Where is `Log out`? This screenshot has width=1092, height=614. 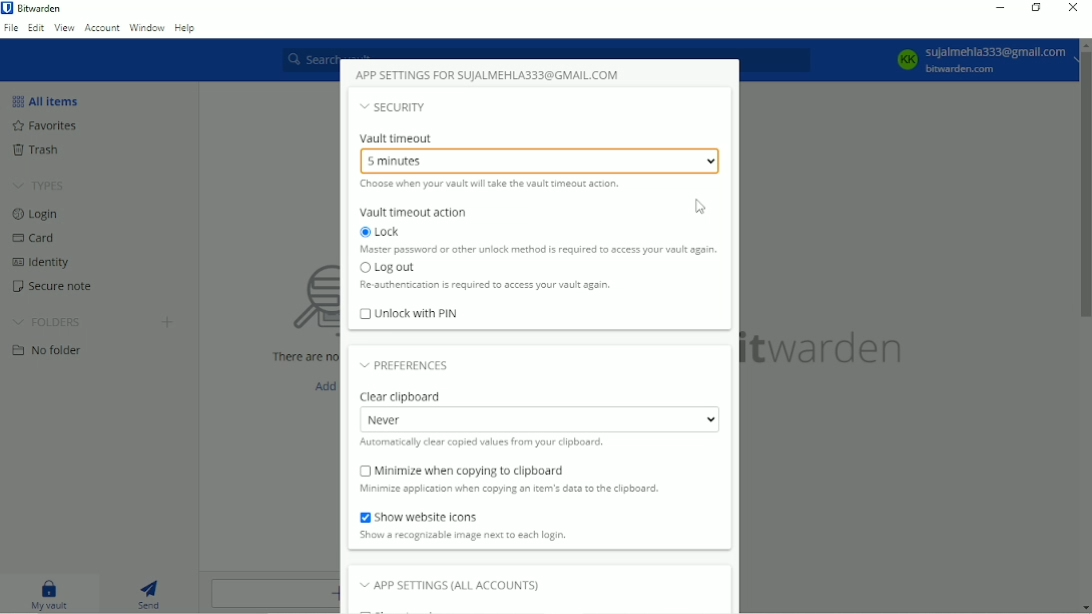 Log out is located at coordinates (389, 270).